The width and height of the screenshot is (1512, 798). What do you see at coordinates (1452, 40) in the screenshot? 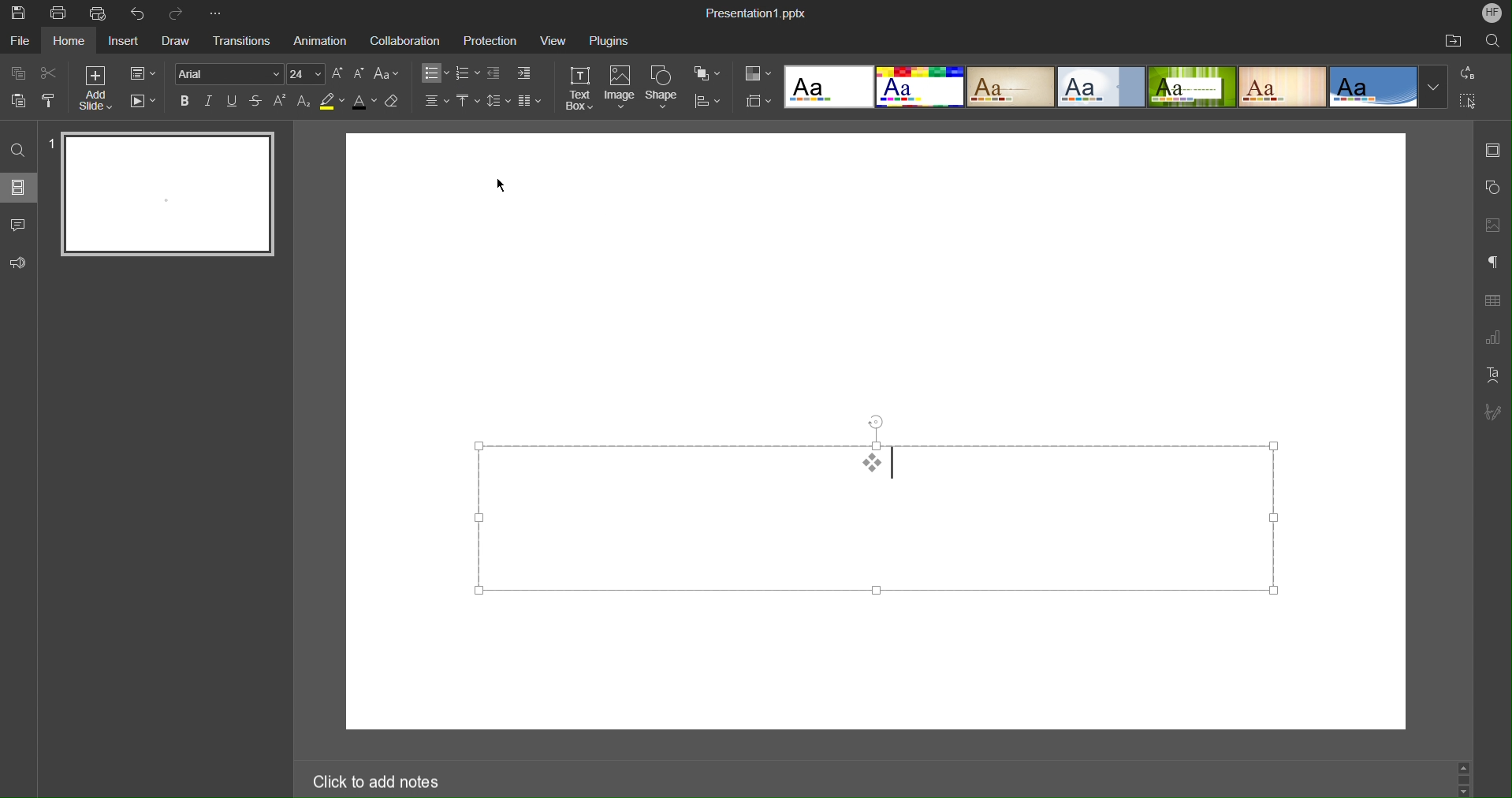
I see `Open File Location` at bounding box center [1452, 40].